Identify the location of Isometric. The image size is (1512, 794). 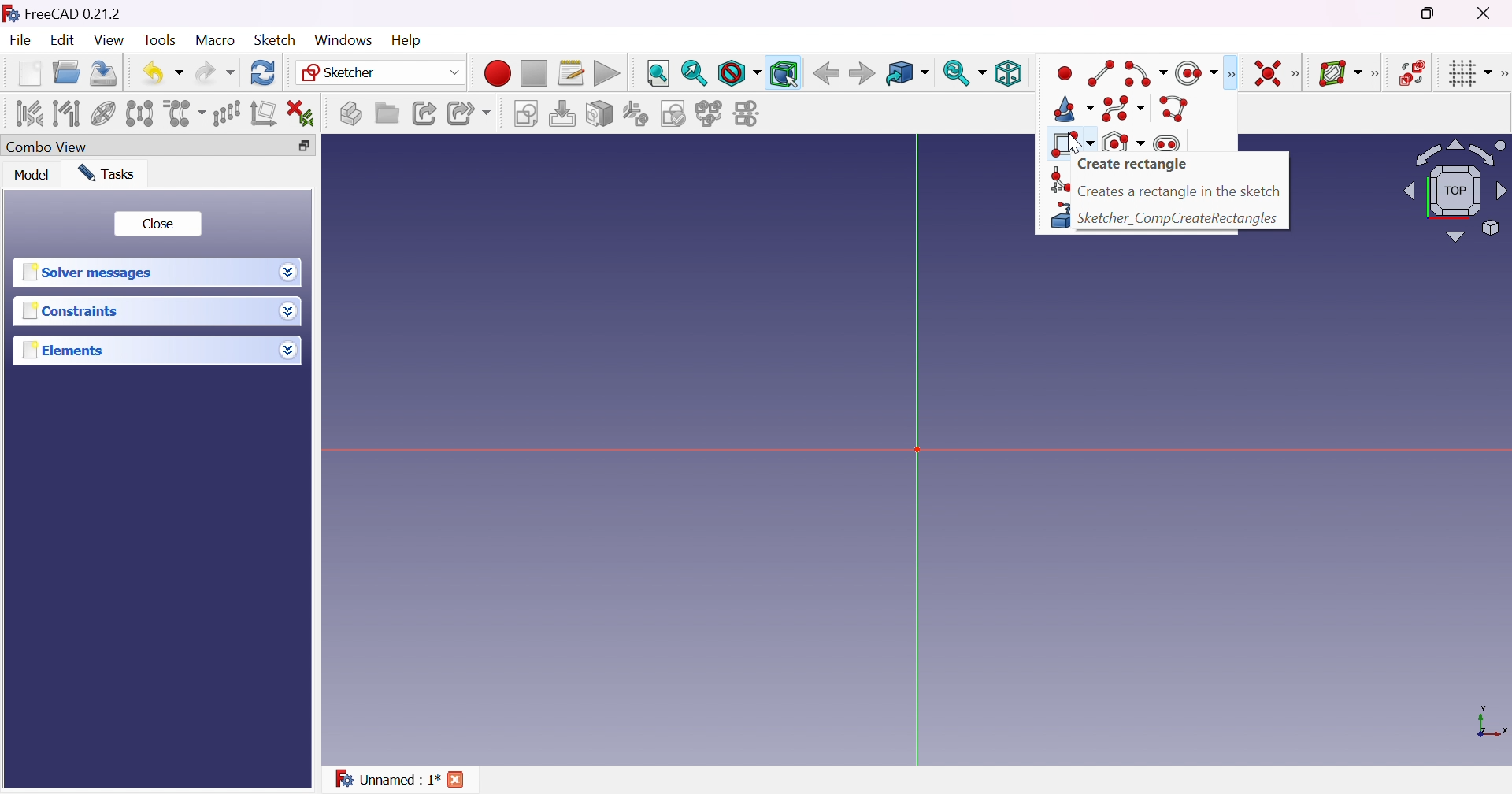
(1009, 72).